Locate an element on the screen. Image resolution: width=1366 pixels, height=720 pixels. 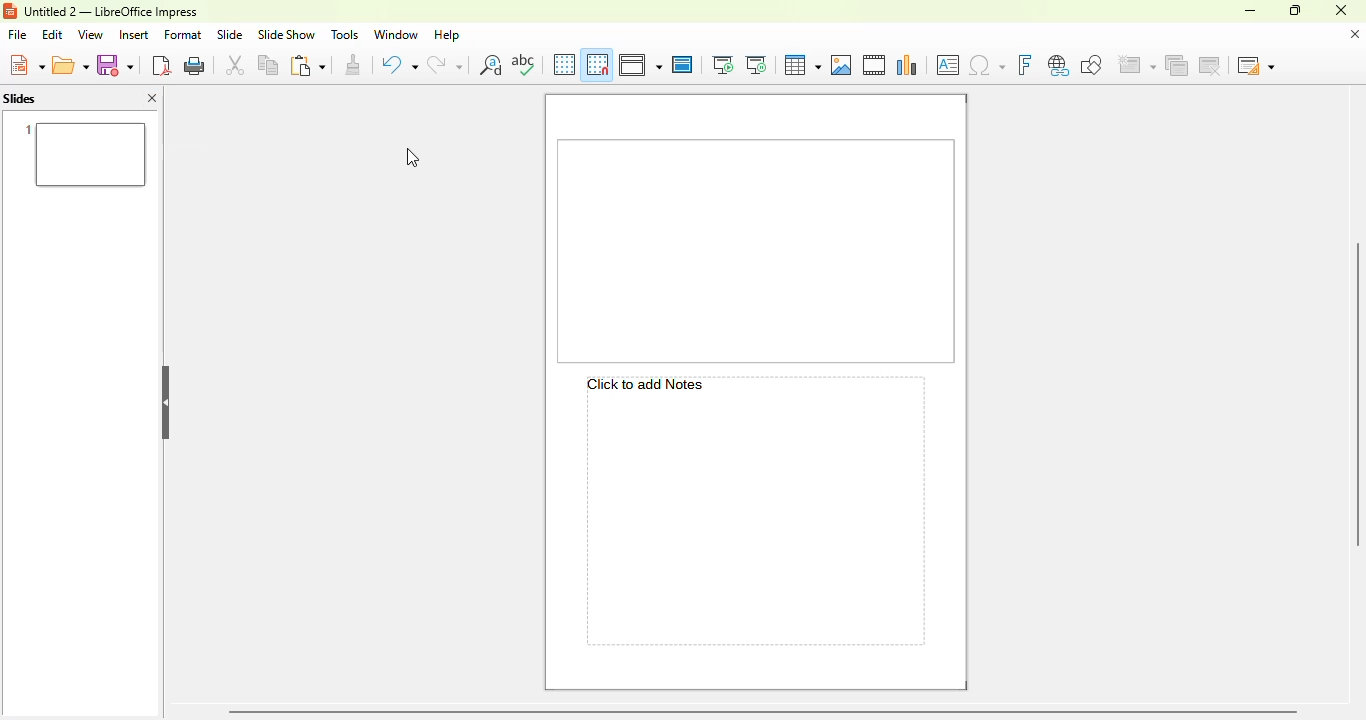
new slide is located at coordinates (1136, 63).